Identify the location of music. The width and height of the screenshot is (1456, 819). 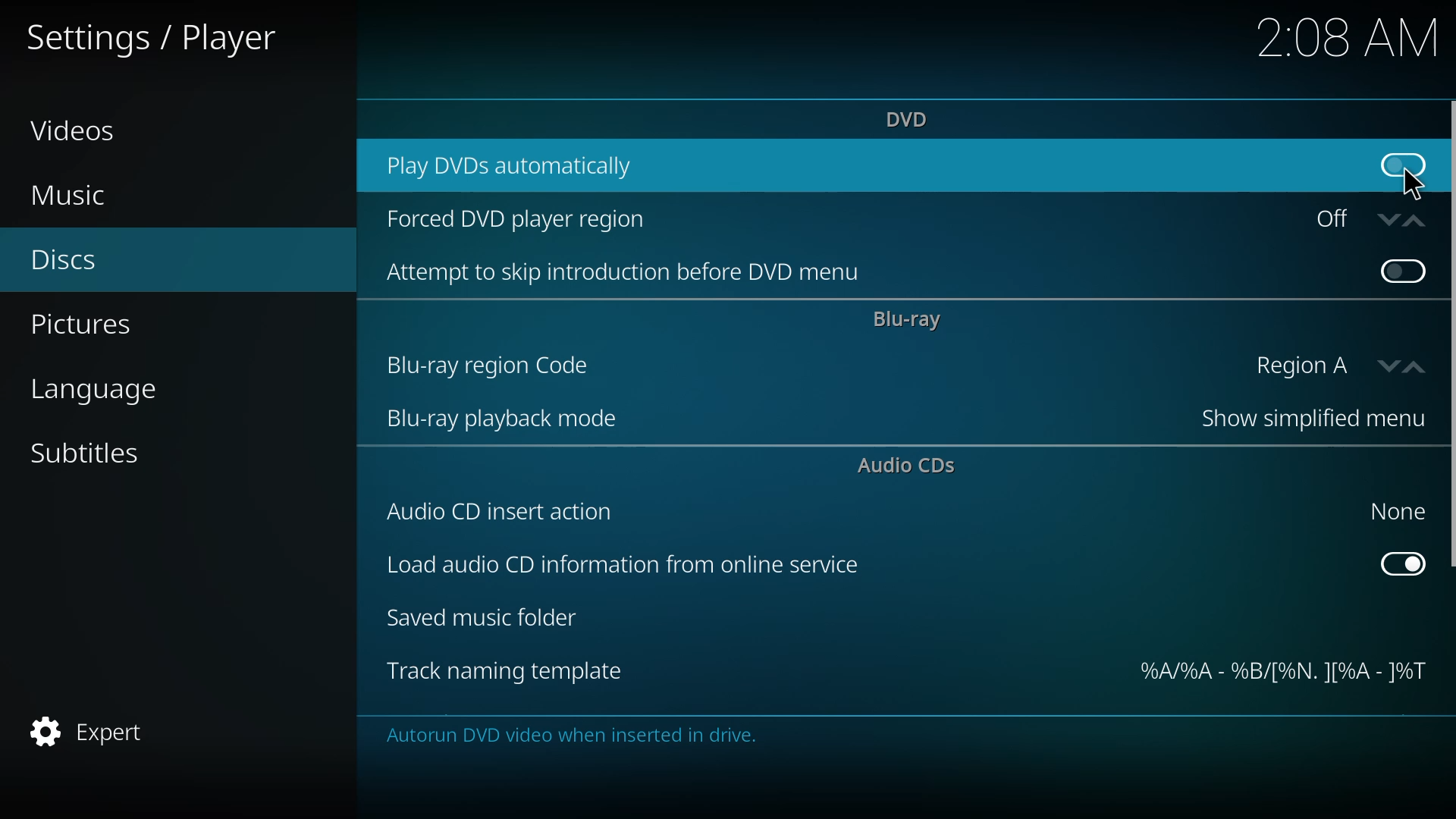
(69, 196).